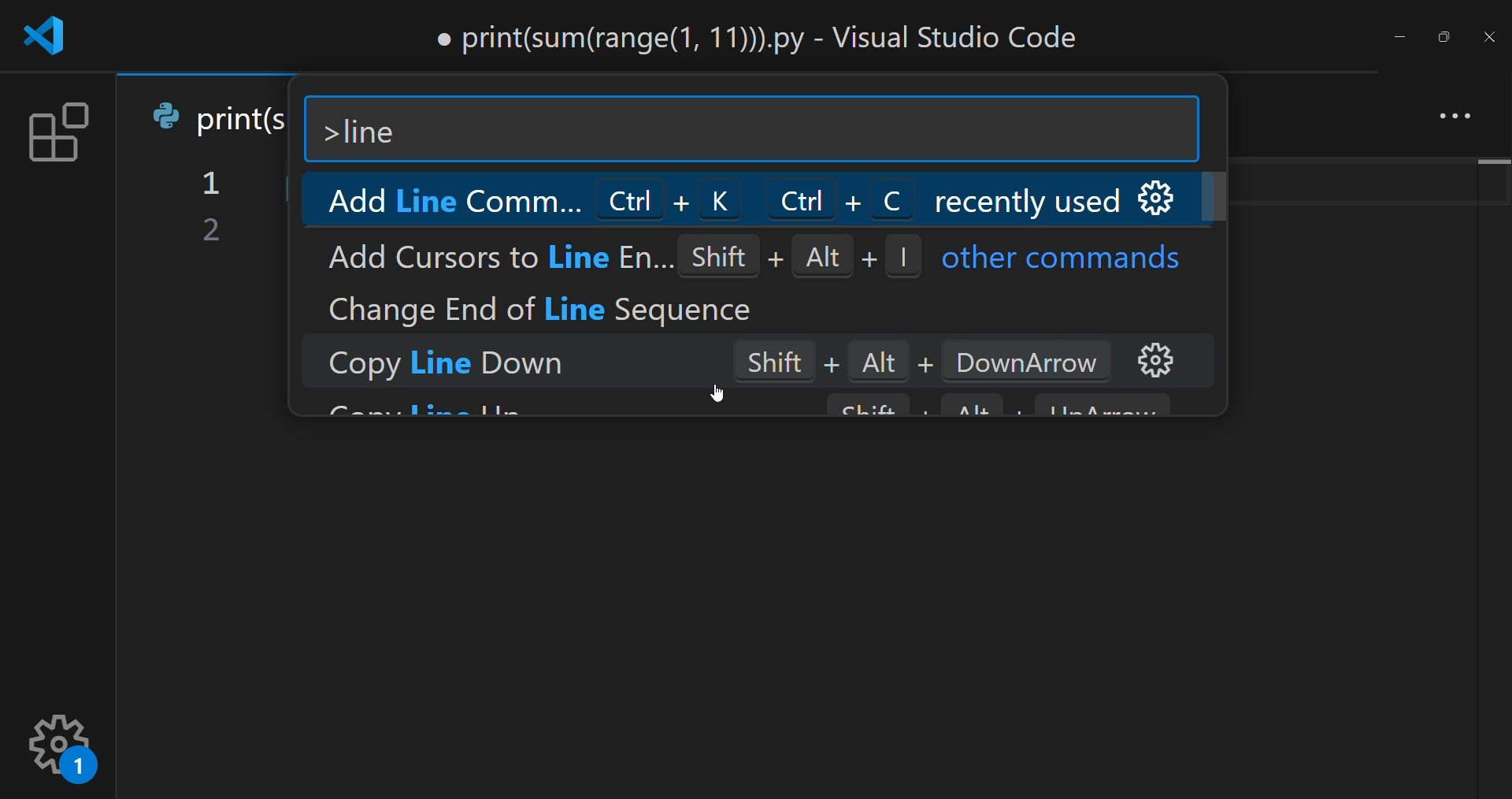 This screenshot has width=1512, height=799. What do you see at coordinates (727, 388) in the screenshot?
I see `cursor` at bounding box center [727, 388].